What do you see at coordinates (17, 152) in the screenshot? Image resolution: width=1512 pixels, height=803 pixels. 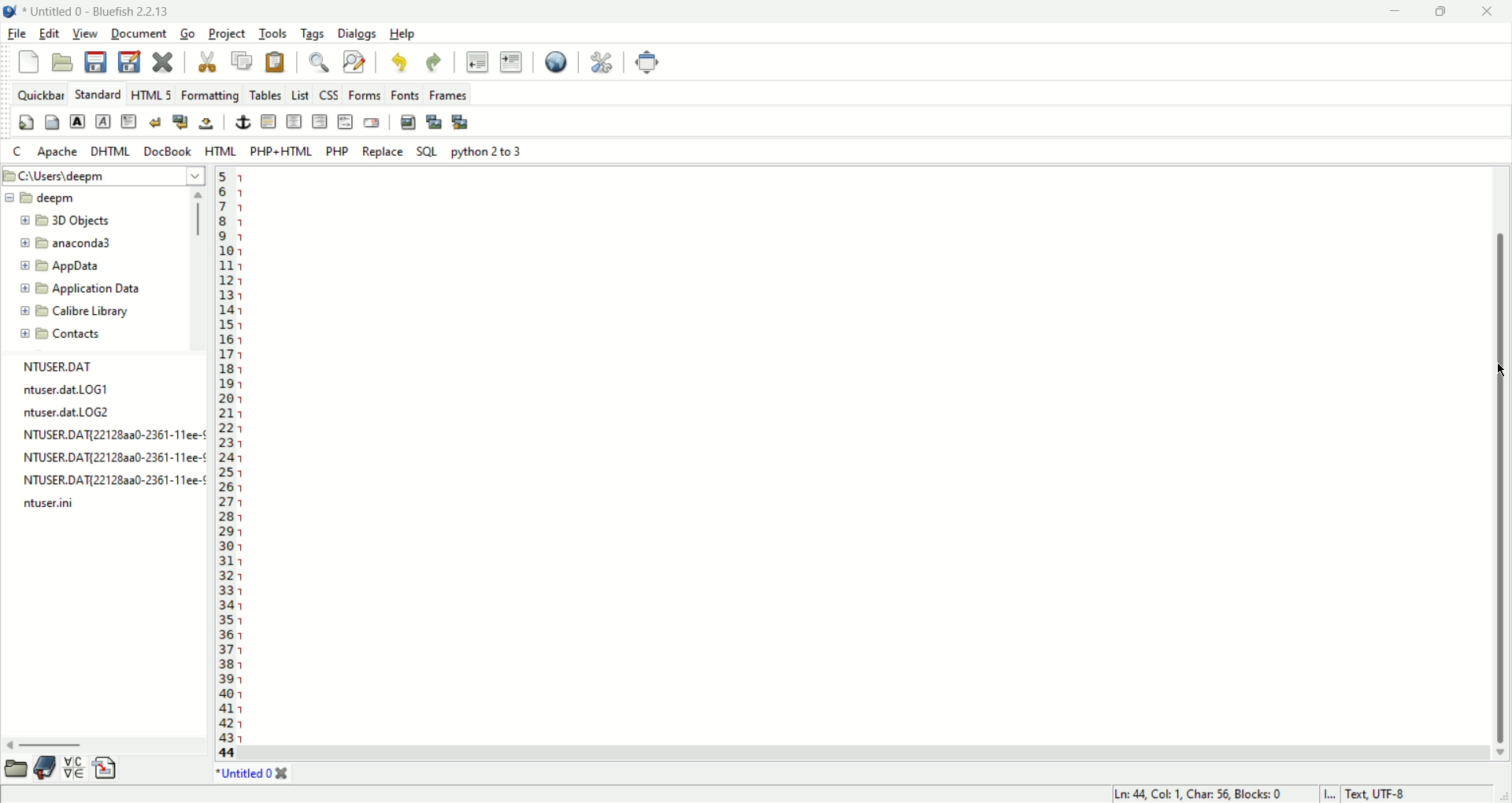 I see `C` at bounding box center [17, 152].